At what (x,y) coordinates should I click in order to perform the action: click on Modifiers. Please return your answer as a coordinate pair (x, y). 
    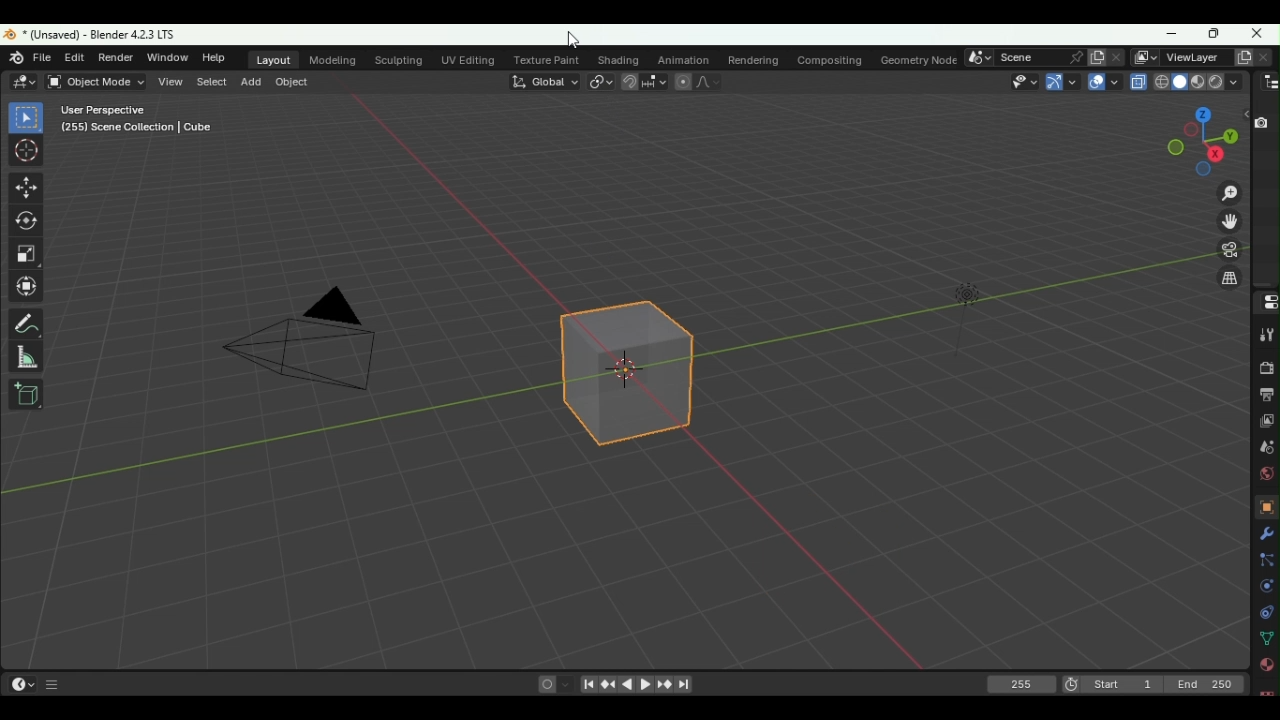
    Looking at the image, I should click on (1266, 536).